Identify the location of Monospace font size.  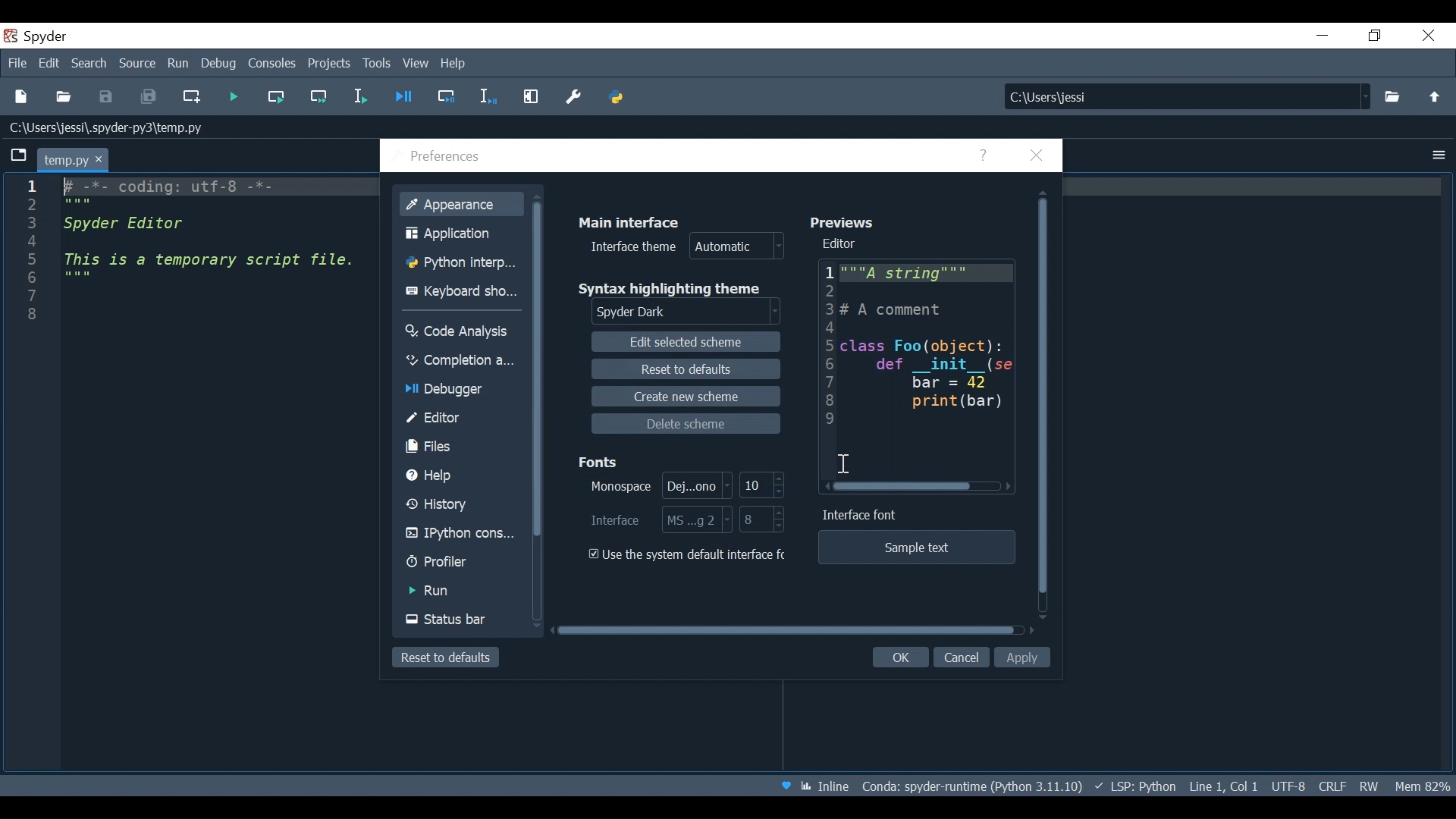
(762, 487).